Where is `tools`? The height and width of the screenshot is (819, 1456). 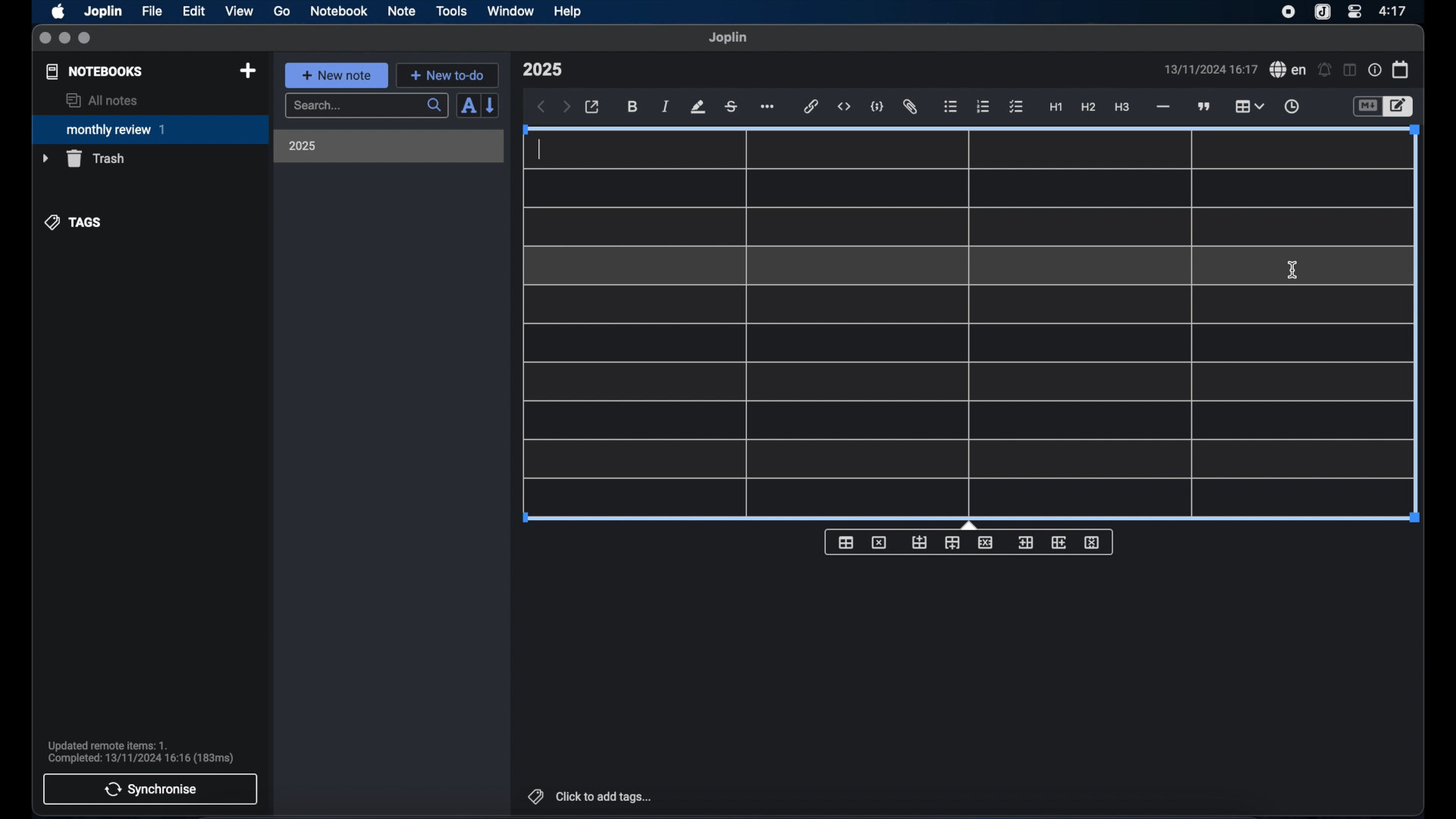 tools is located at coordinates (451, 11).